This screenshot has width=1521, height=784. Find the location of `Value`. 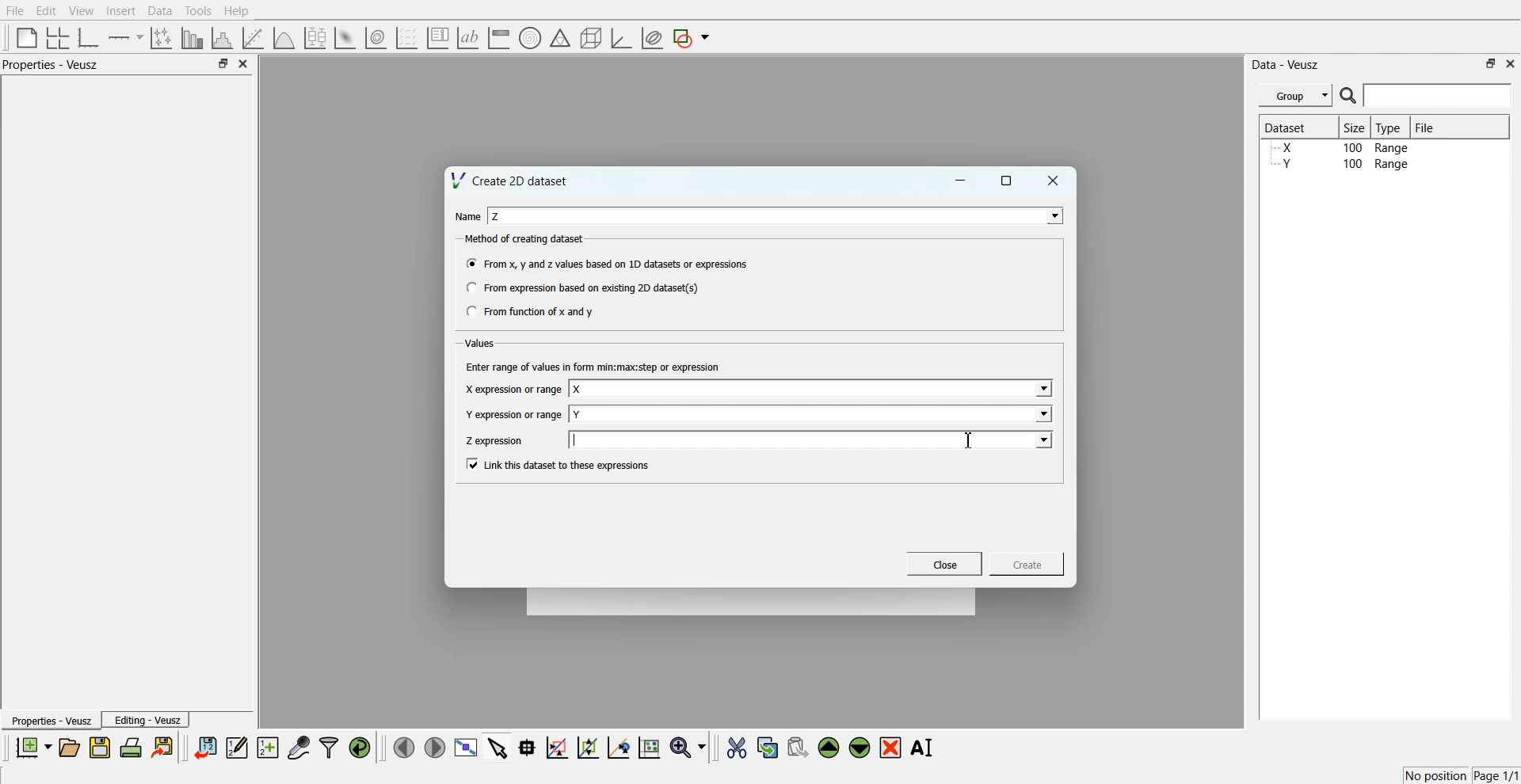

Value is located at coordinates (482, 343).